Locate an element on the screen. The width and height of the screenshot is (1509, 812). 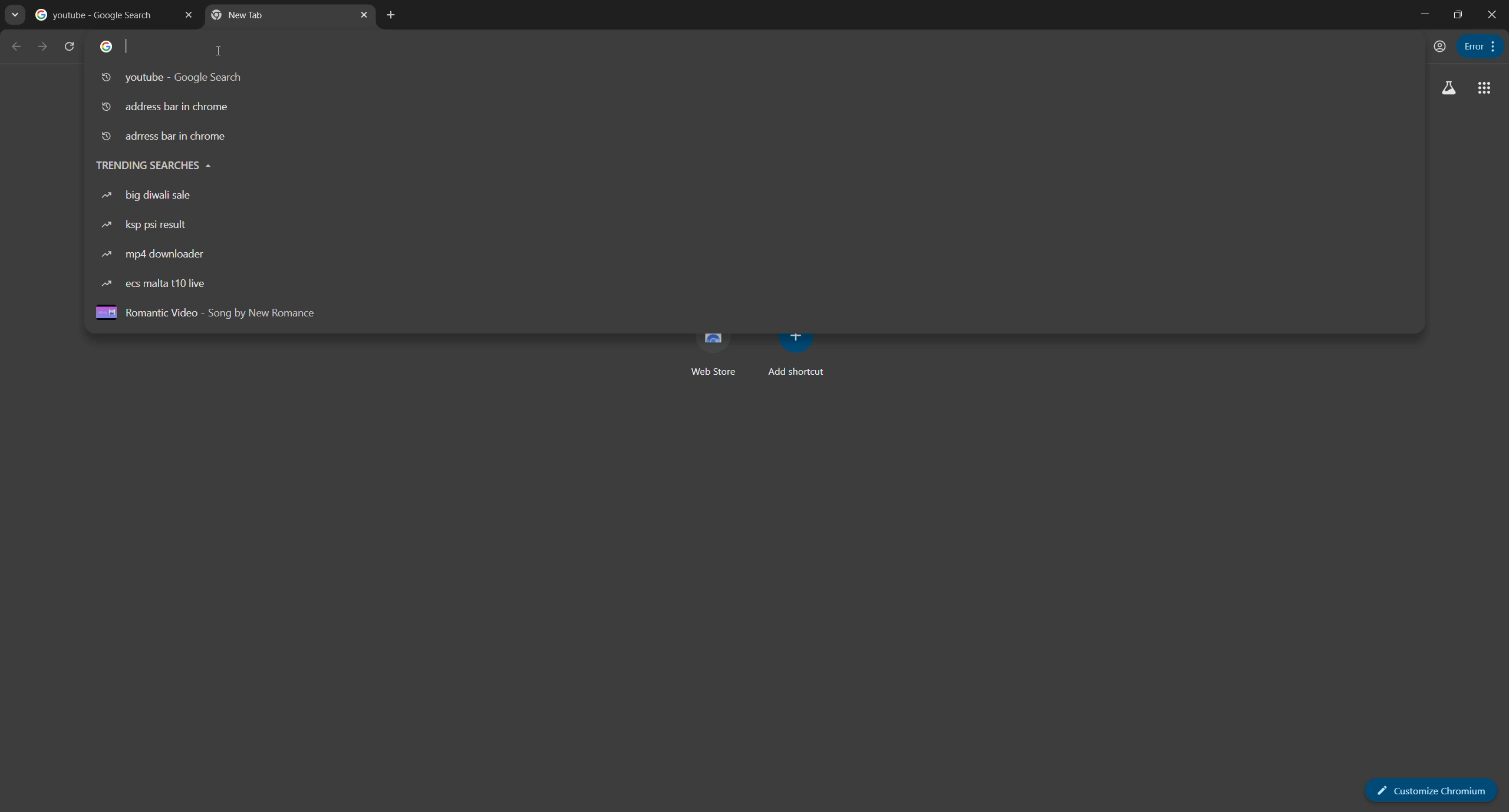
cursor is located at coordinates (210, 49).